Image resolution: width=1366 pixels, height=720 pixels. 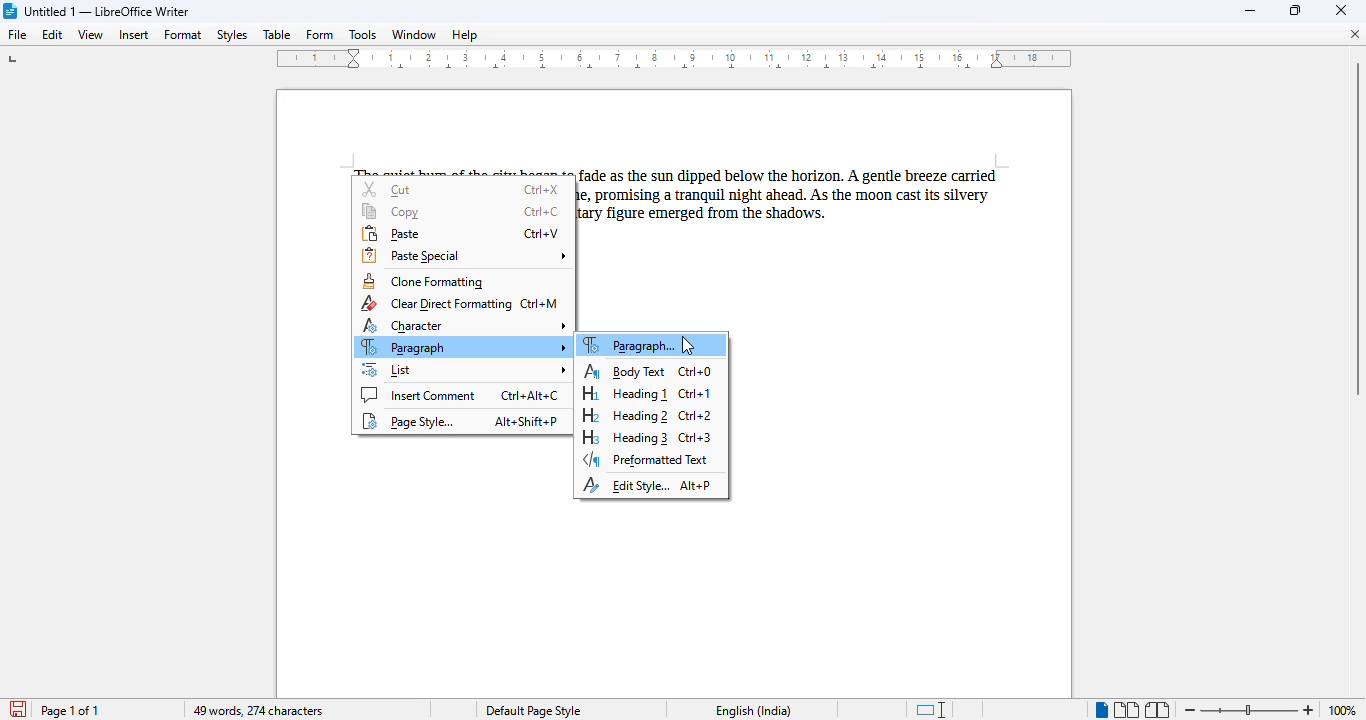 What do you see at coordinates (1353, 228) in the screenshot?
I see `vertical scroll bar` at bounding box center [1353, 228].